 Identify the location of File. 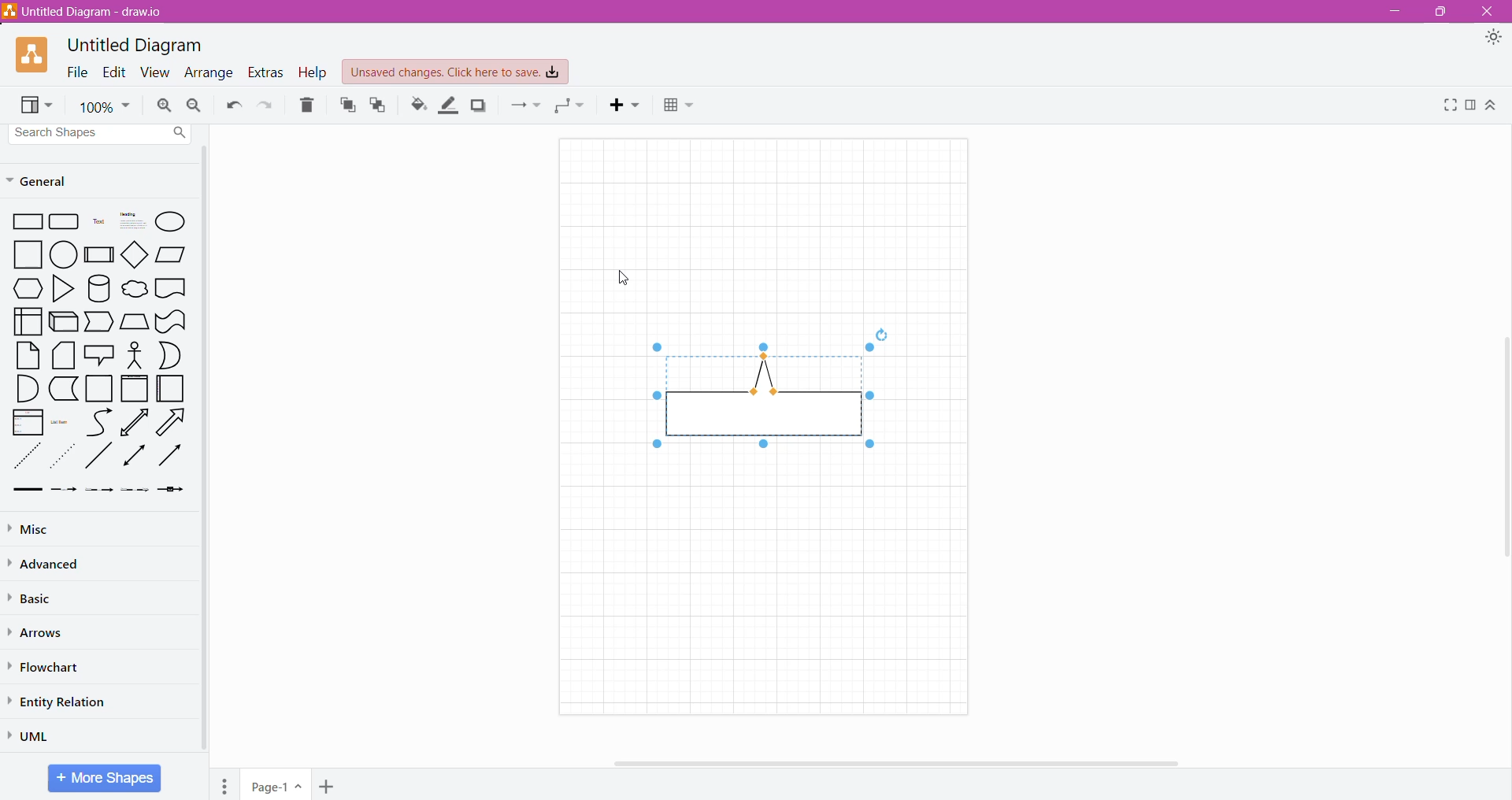
(77, 72).